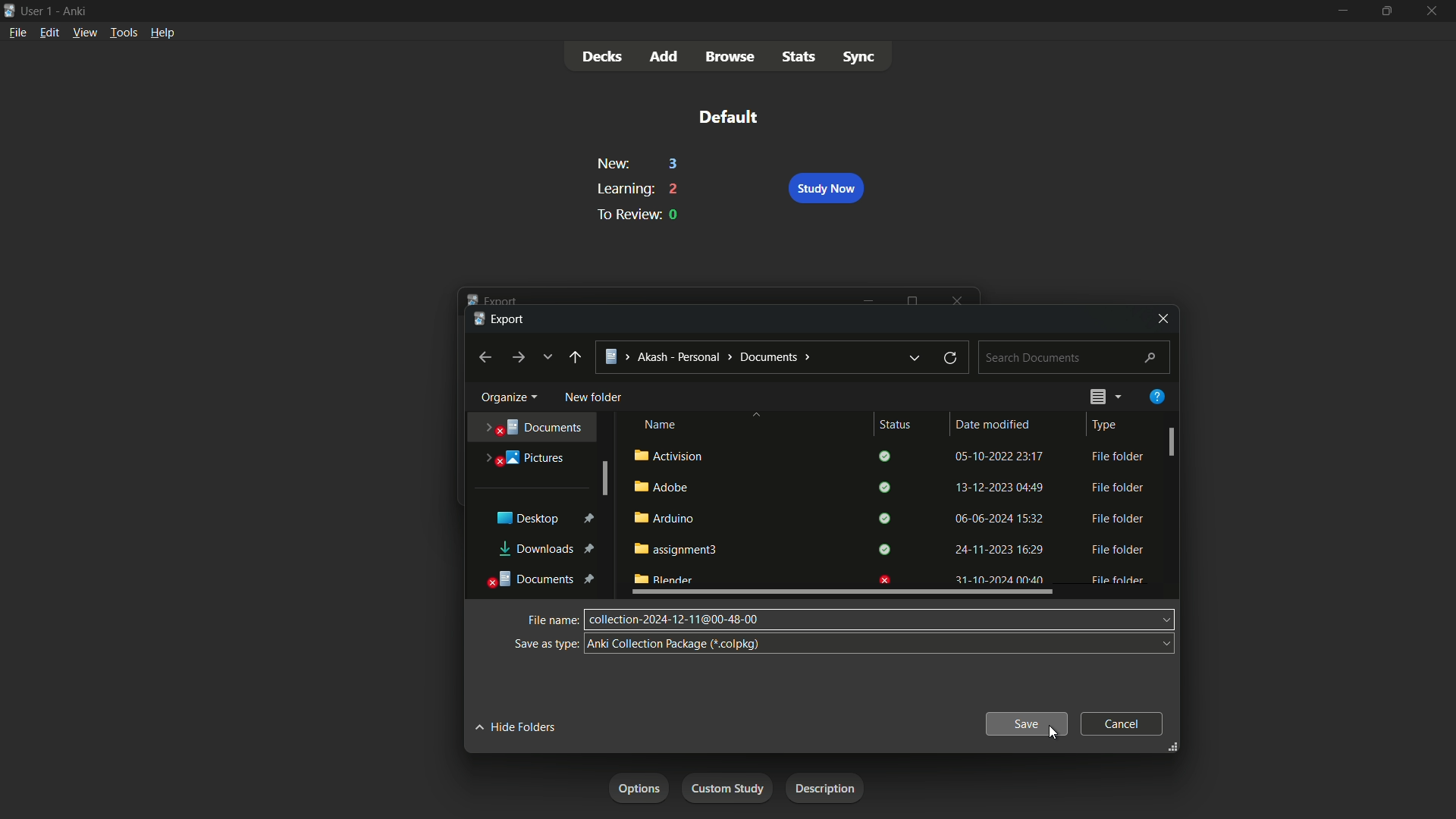 The image size is (1456, 819). Describe the element at coordinates (674, 620) in the screenshot. I see `file name` at that location.